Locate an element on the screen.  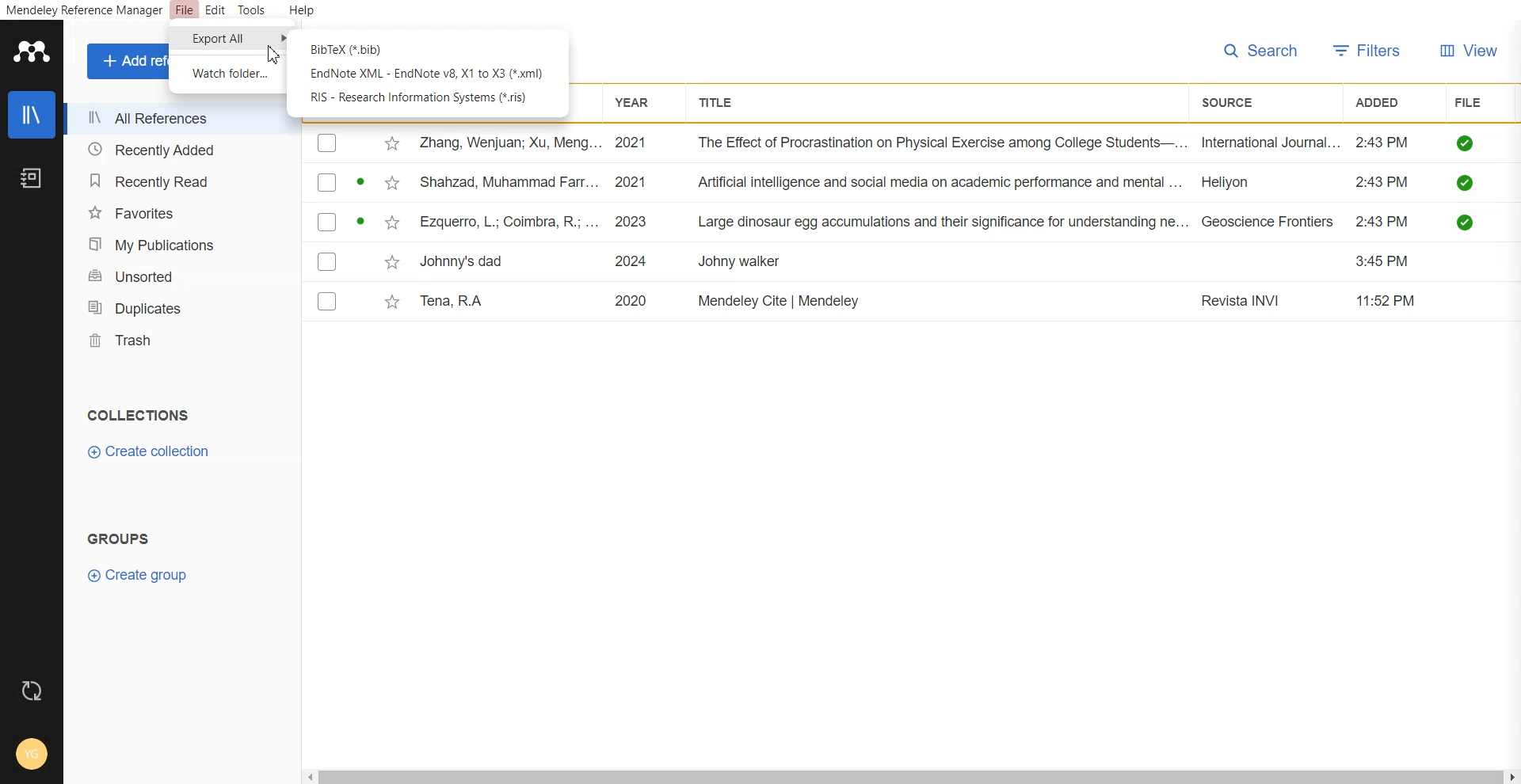
Export All is located at coordinates (227, 39).